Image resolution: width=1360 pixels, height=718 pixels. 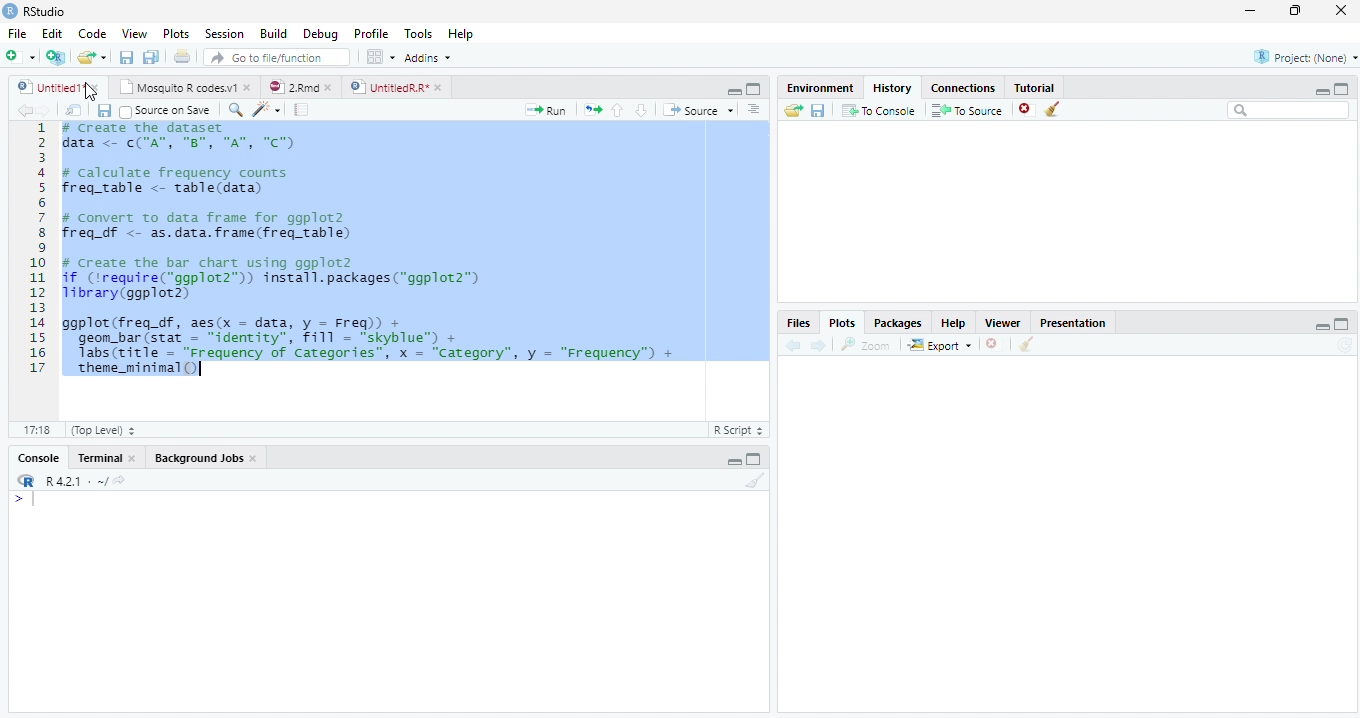 I want to click on Source on Save, so click(x=167, y=110).